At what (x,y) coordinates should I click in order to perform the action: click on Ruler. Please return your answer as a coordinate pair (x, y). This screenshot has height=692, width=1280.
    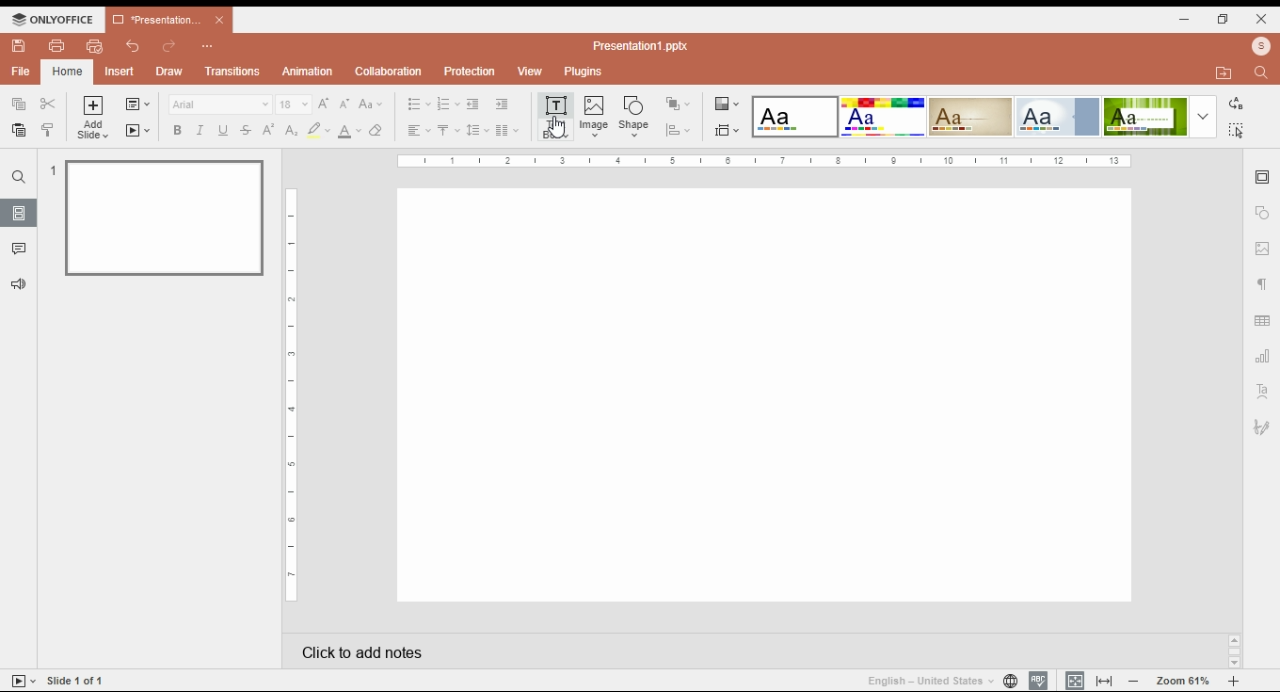
    Looking at the image, I should click on (763, 162).